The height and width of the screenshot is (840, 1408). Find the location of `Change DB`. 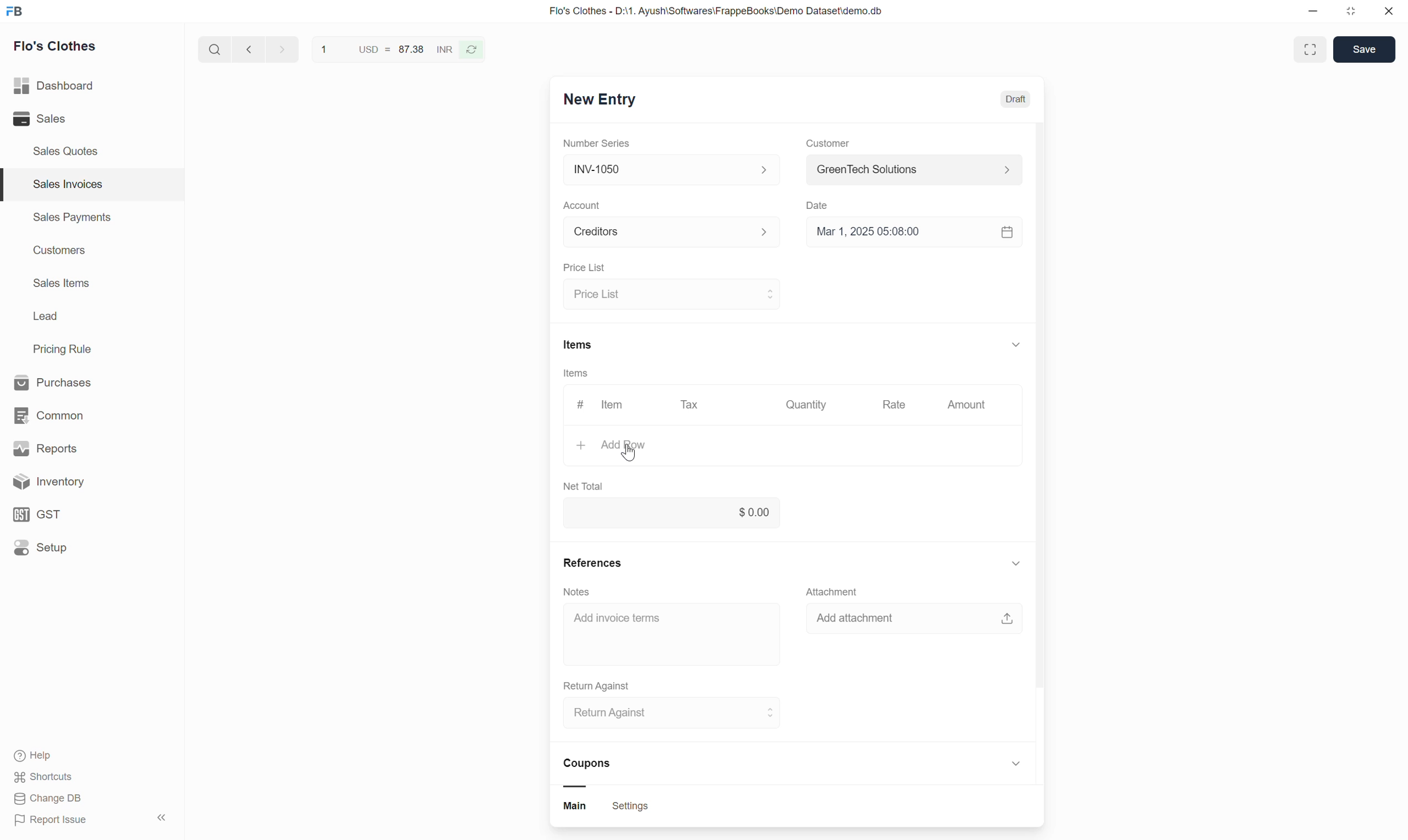

Change DB is located at coordinates (50, 800).